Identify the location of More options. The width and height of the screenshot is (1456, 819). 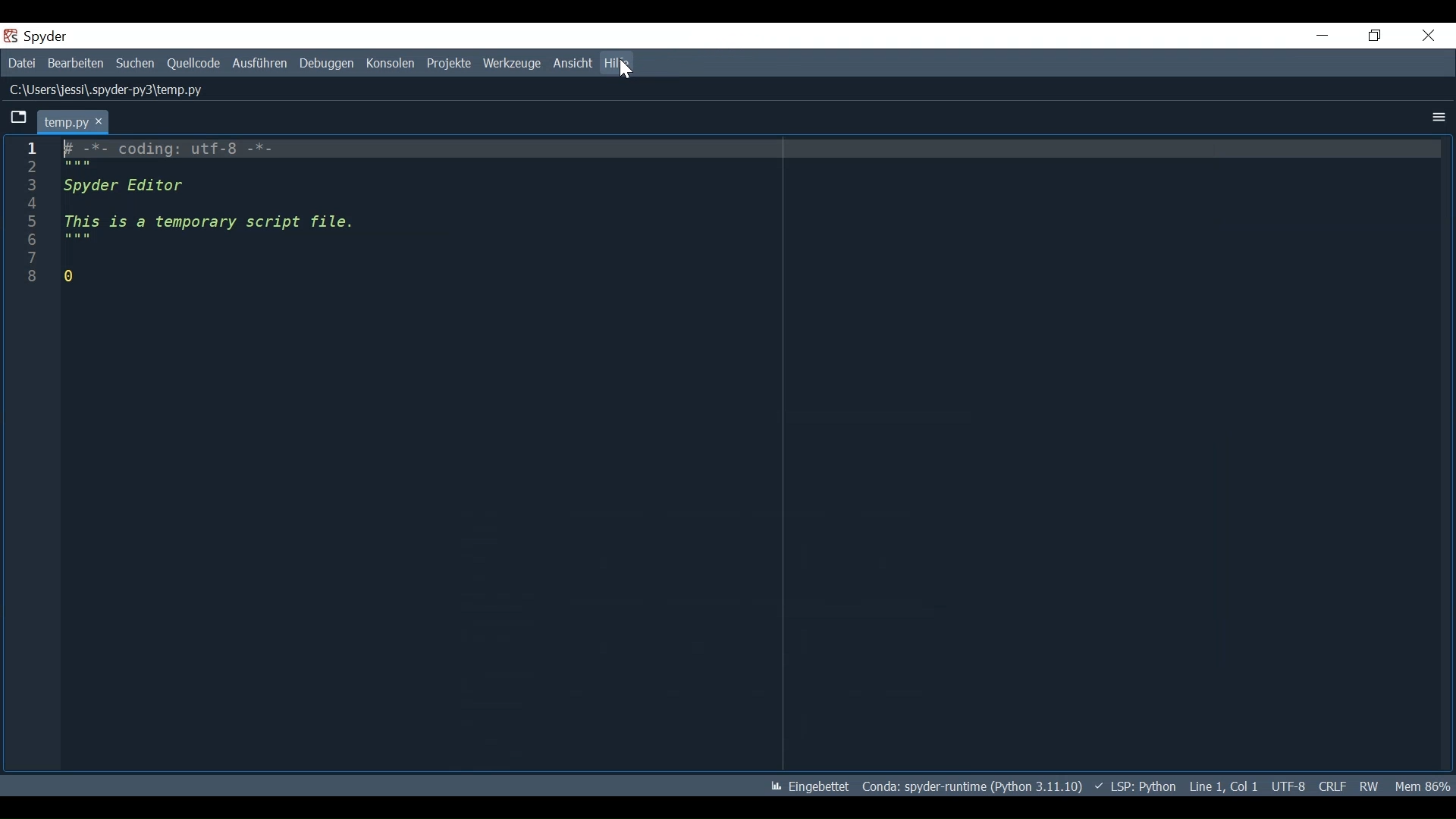
(1437, 117).